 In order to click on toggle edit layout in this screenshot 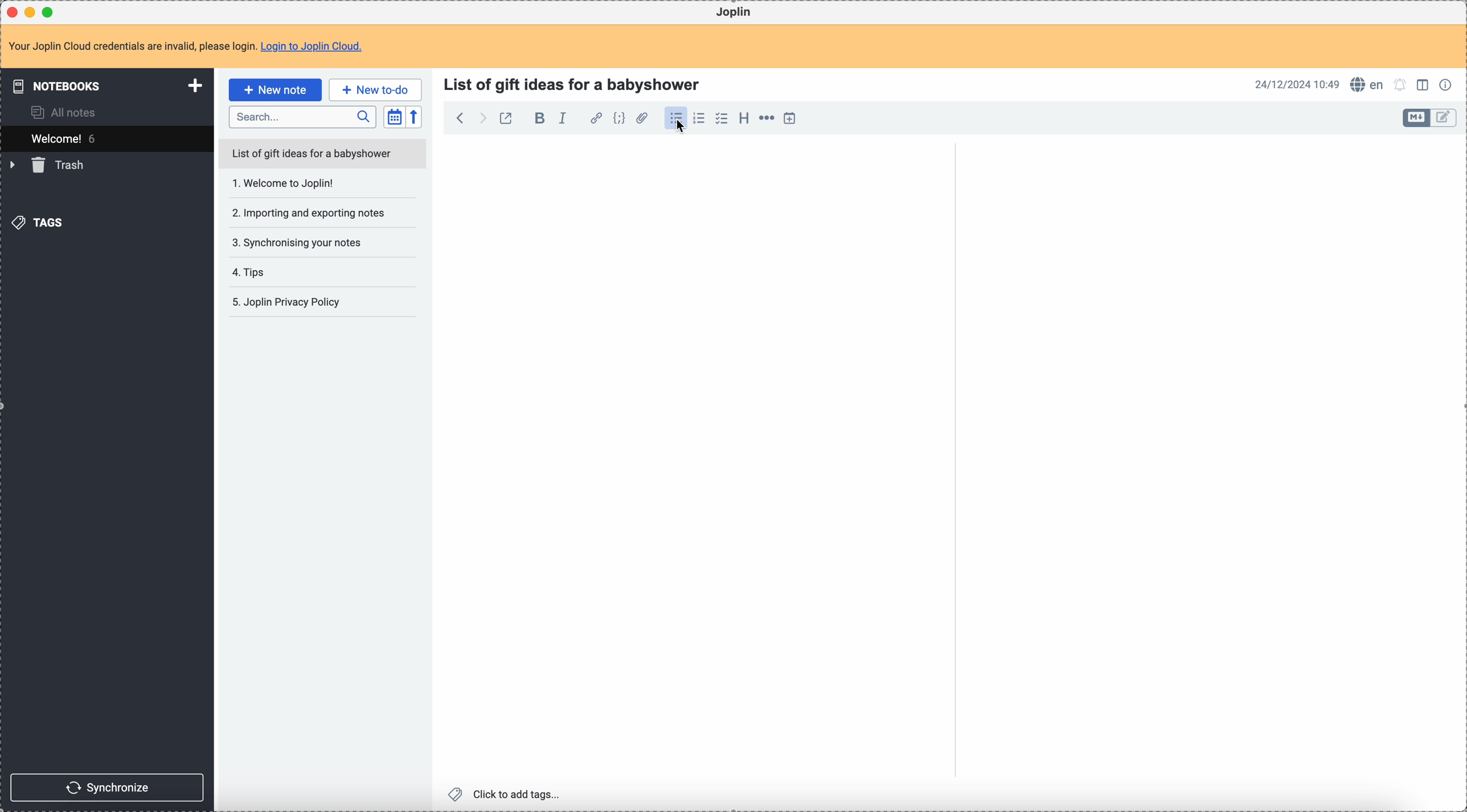, I will do `click(1416, 118)`.